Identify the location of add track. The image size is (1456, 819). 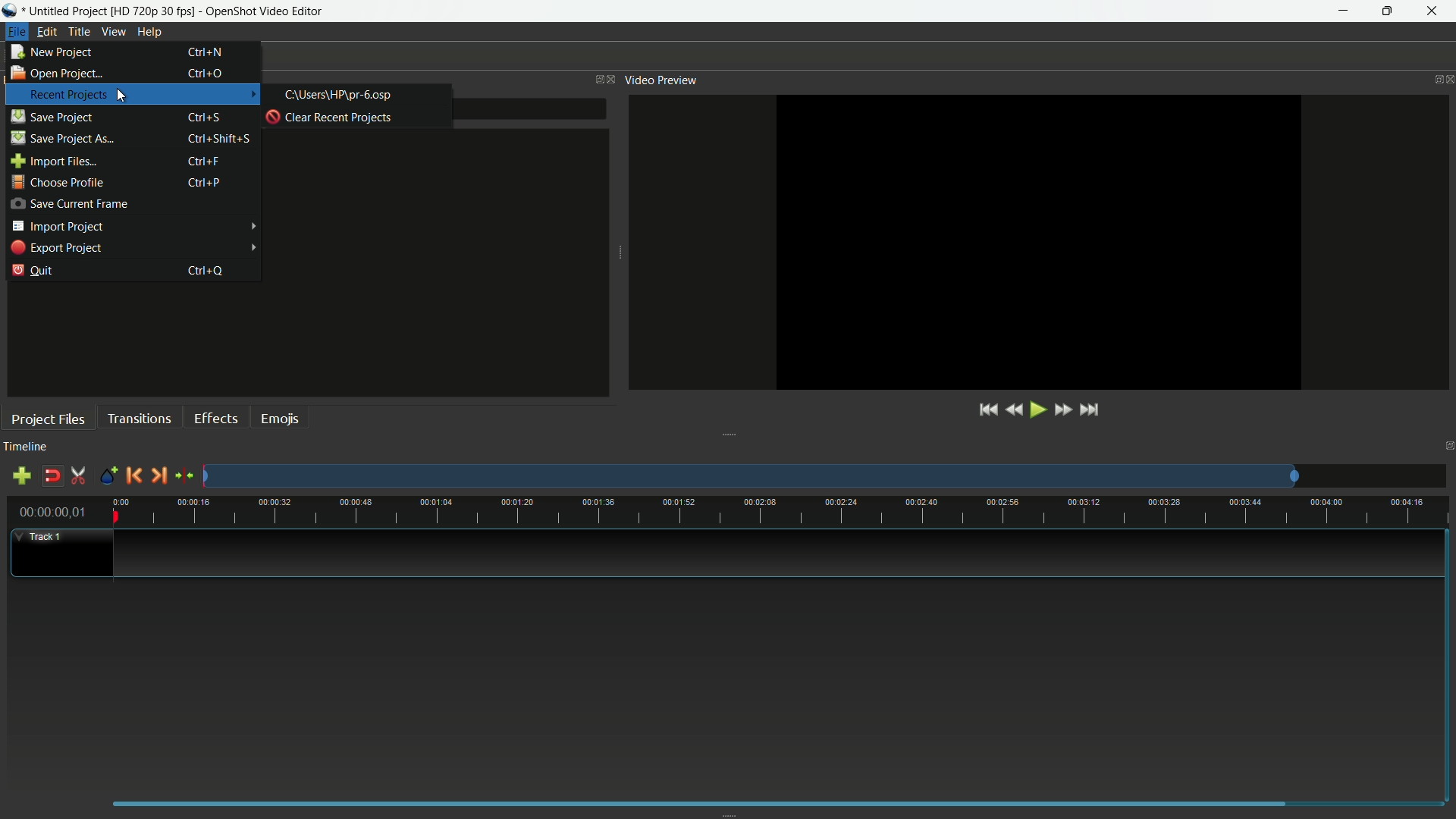
(21, 477).